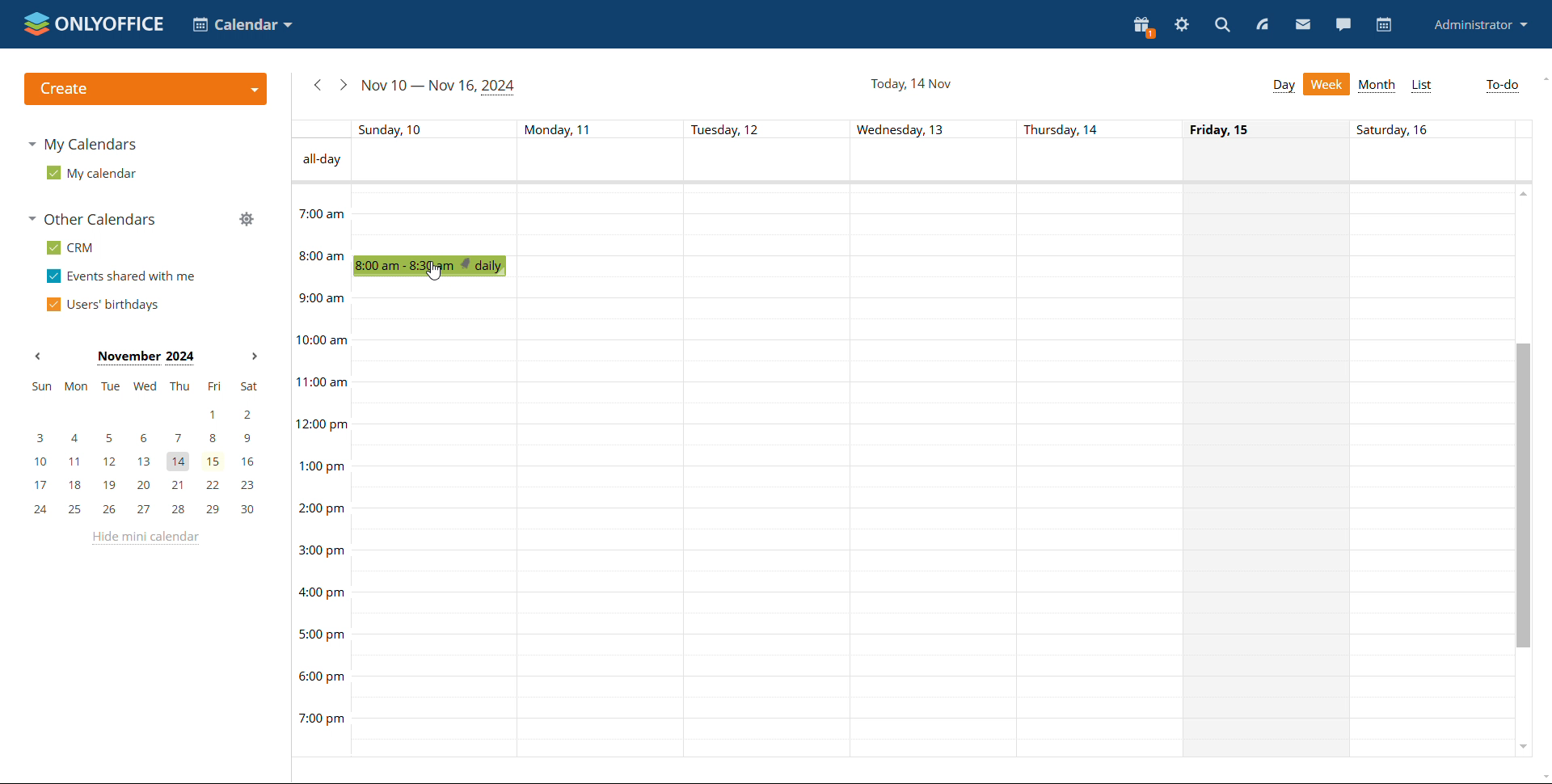  Describe the element at coordinates (1343, 24) in the screenshot. I see `chat` at that location.